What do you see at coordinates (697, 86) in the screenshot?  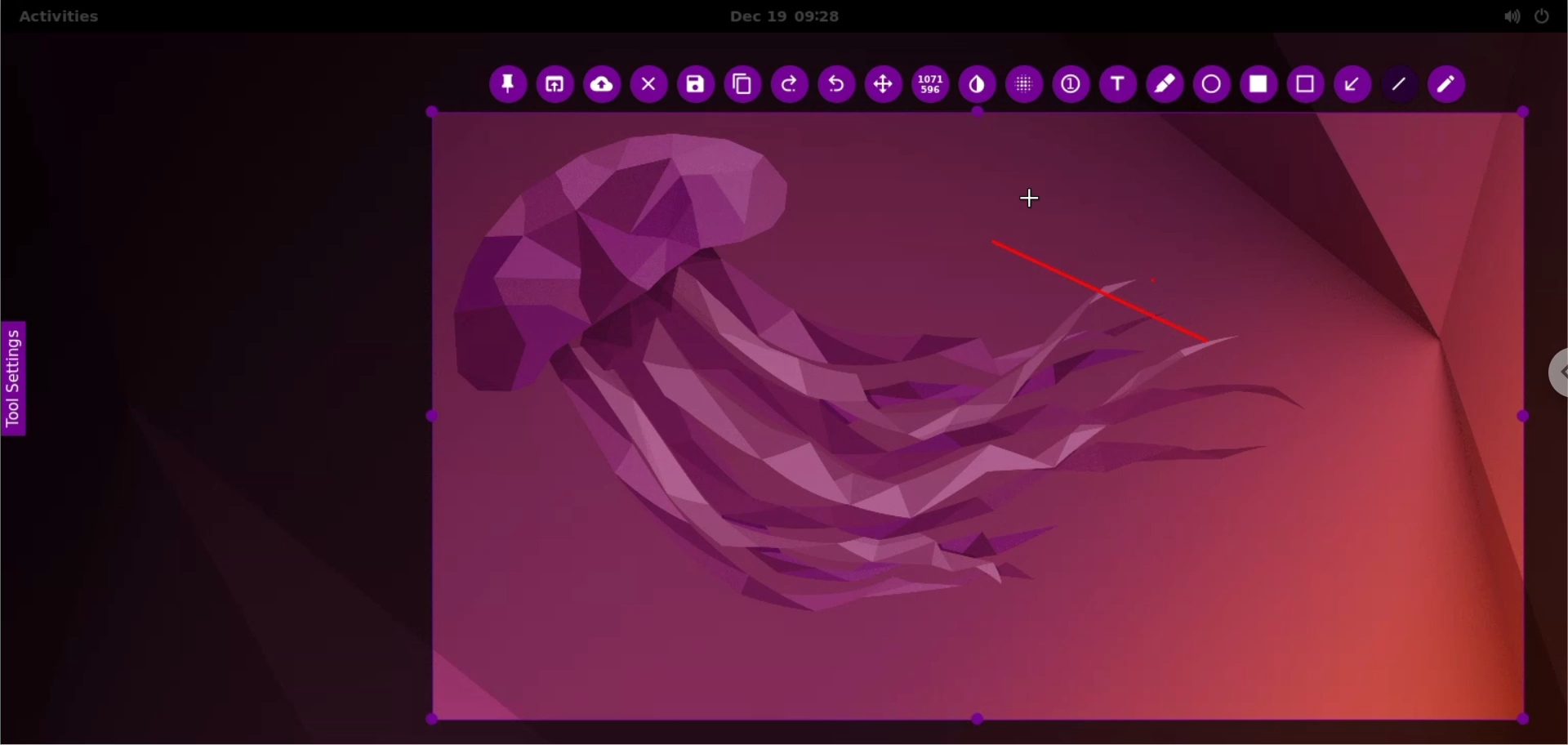 I see `save` at bounding box center [697, 86].